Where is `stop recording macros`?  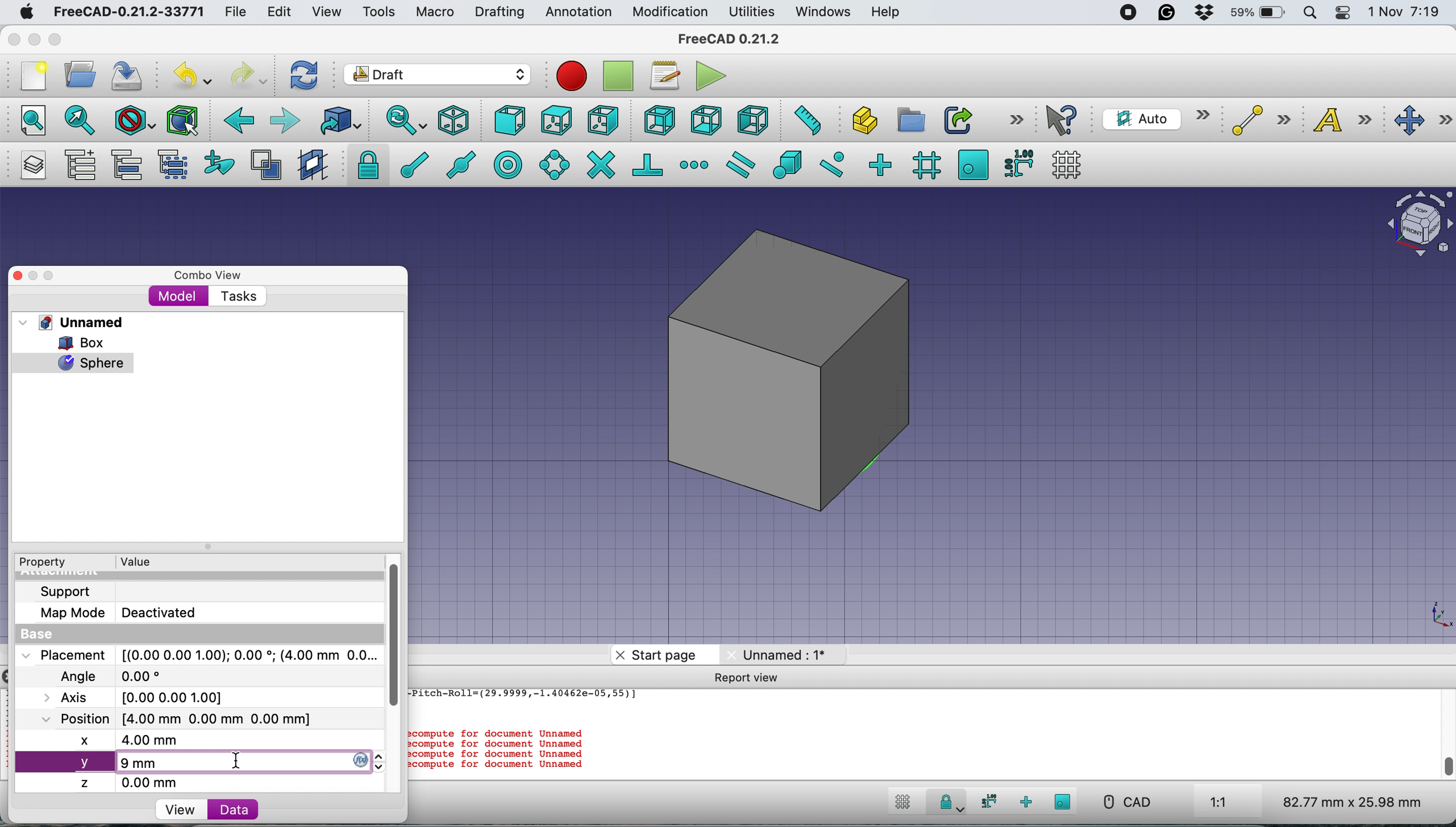 stop recording macros is located at coordinates (621, 76).